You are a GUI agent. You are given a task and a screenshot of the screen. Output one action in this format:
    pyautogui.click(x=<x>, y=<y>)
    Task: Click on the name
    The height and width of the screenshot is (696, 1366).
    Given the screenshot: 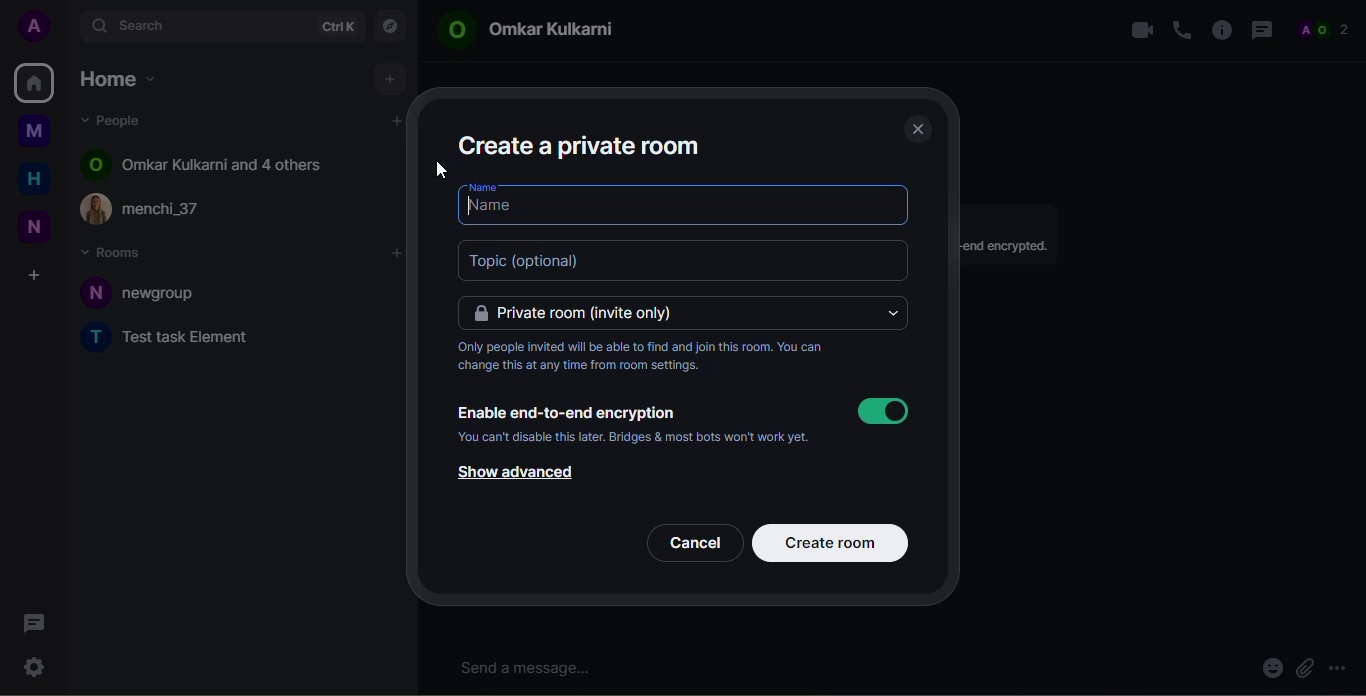 What is the action you would take?
    pyautogui.click(x=481, y=187)
    